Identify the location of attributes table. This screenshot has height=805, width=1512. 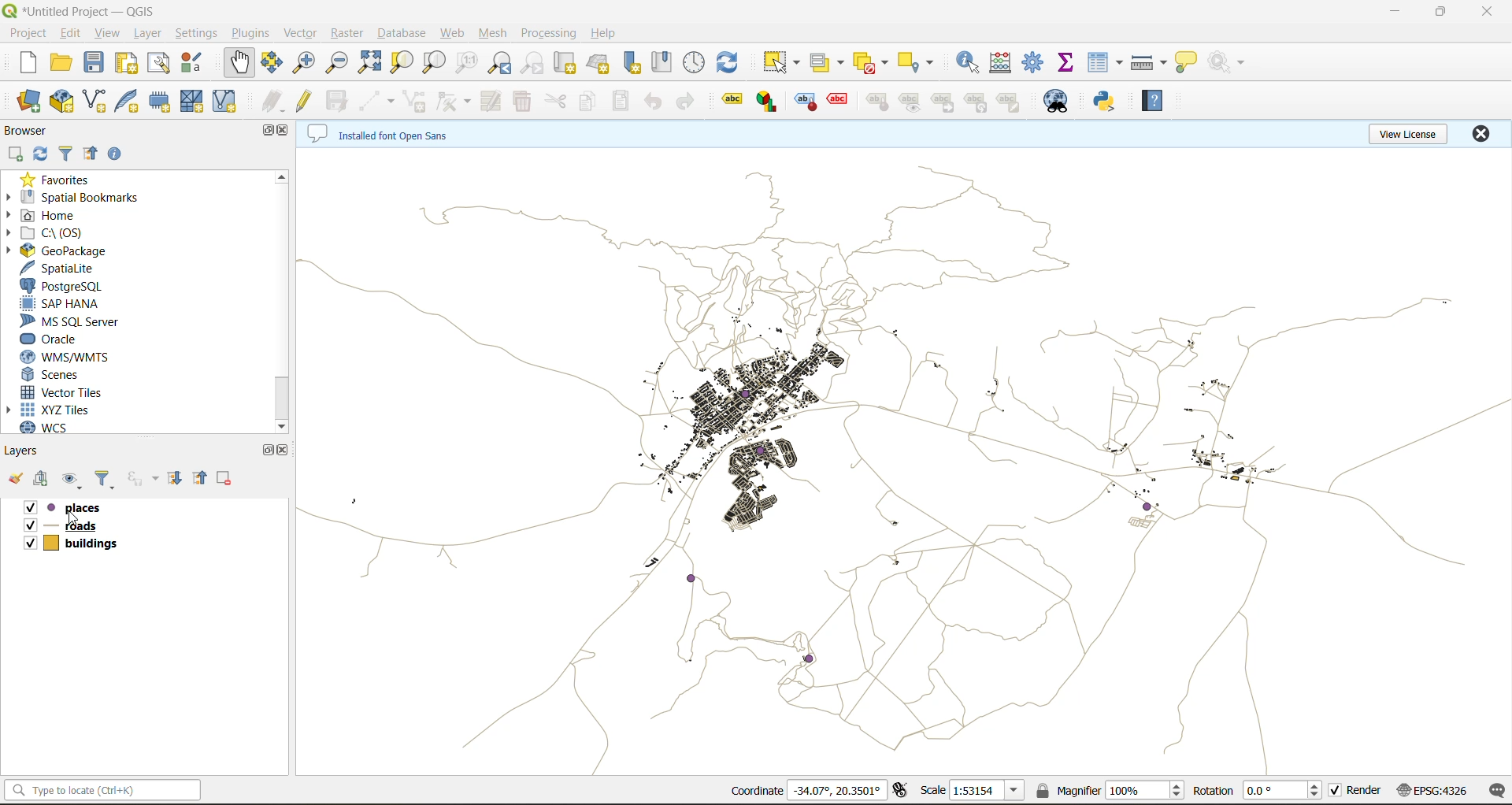
(1106, 67).